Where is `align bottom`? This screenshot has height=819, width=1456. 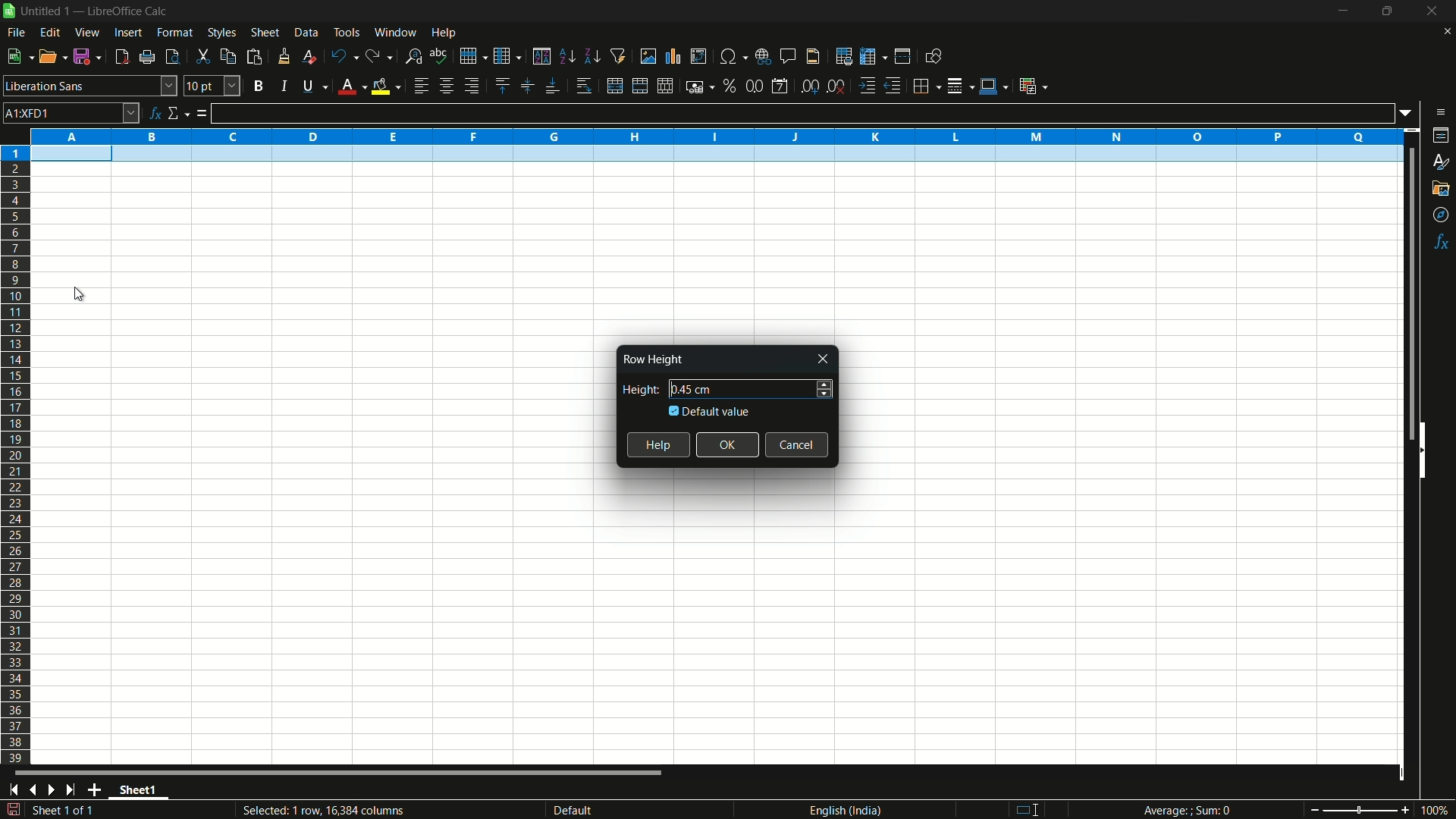 align bottom is located at coordinates (553, 87).